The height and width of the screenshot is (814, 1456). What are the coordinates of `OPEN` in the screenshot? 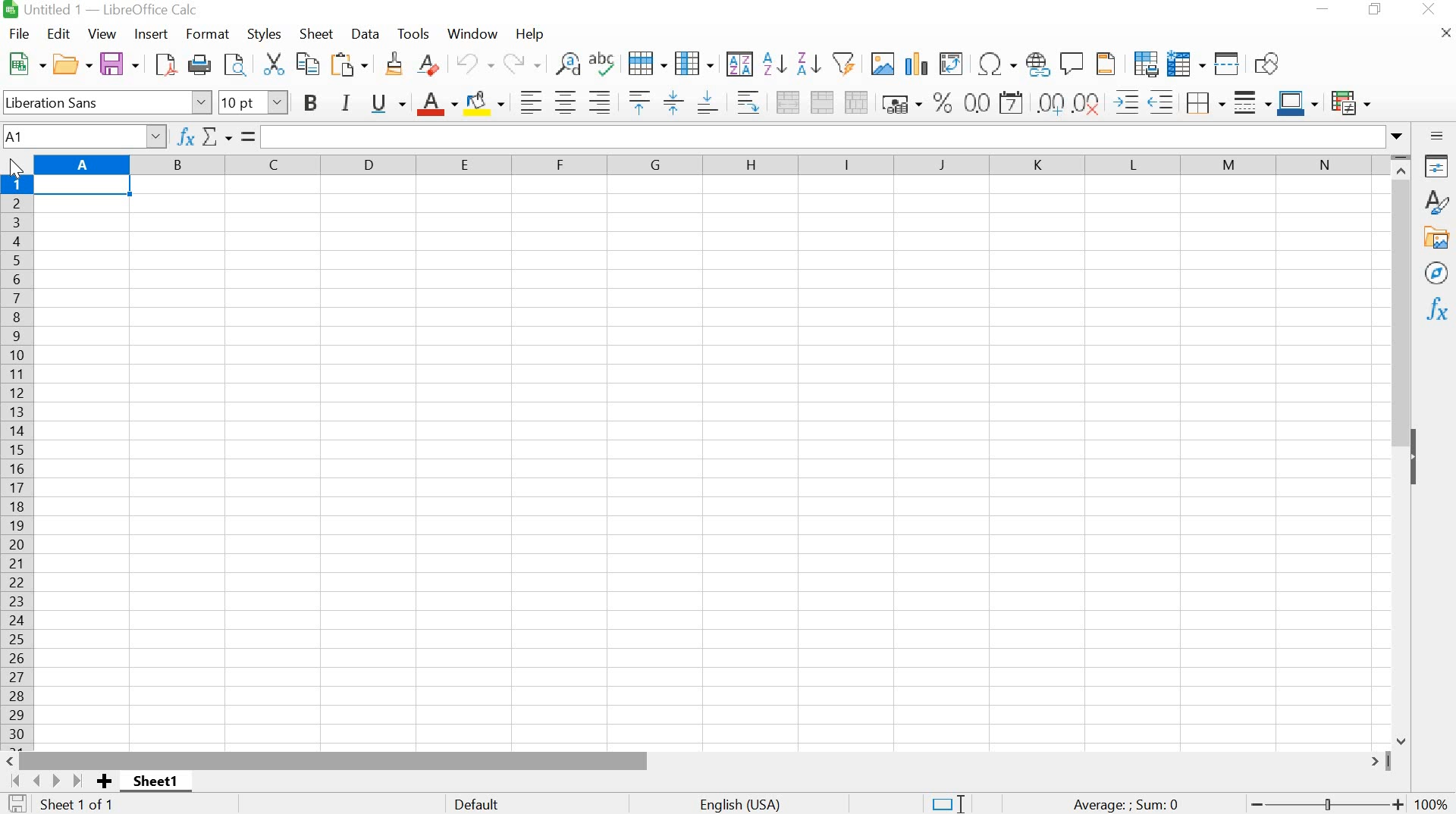 It's located at (73, 64).